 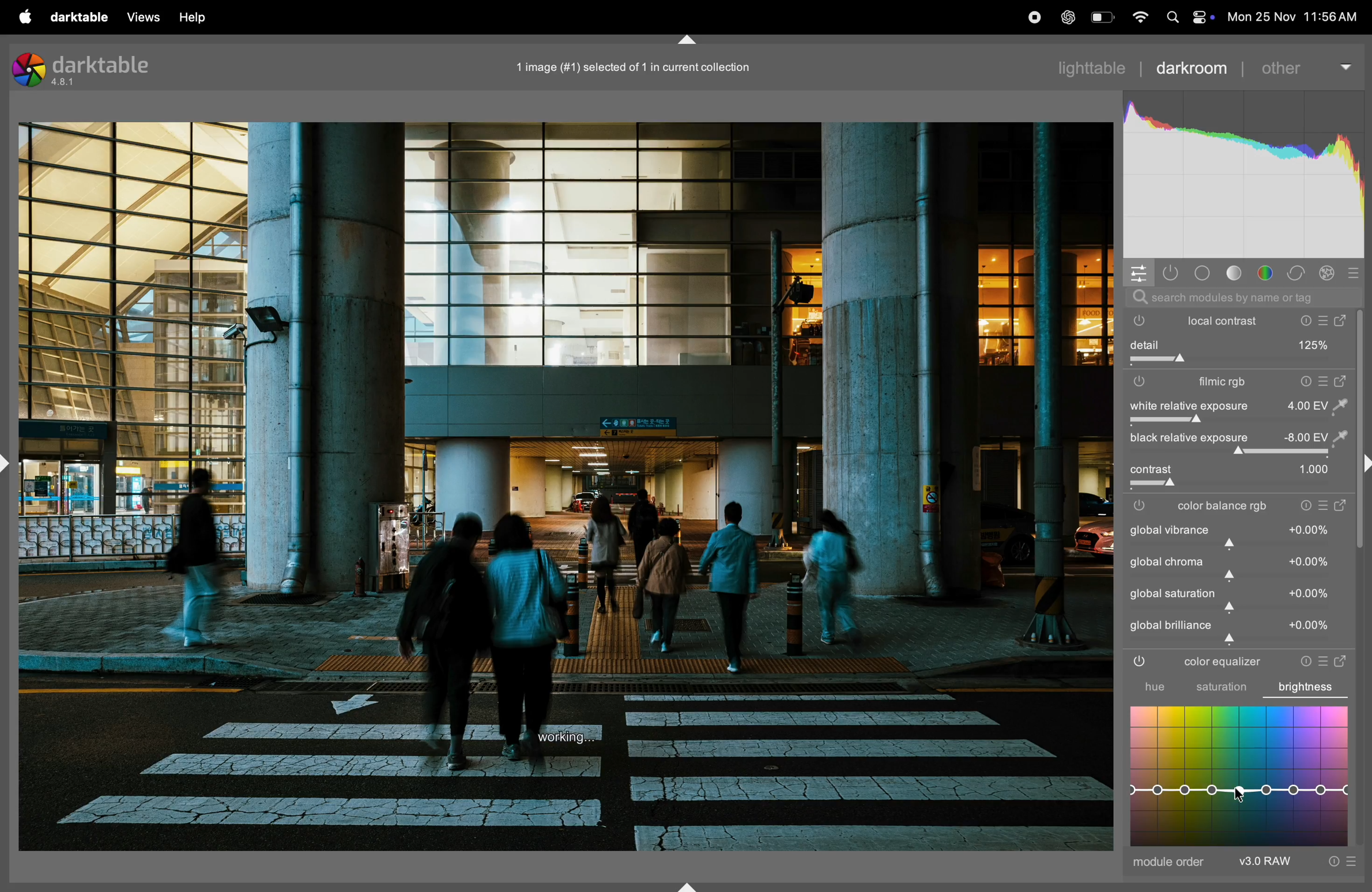 What do you see at coordinates (1170, 530) in the screenshot?
I see `global variance` at bounding box center [1170, 530].